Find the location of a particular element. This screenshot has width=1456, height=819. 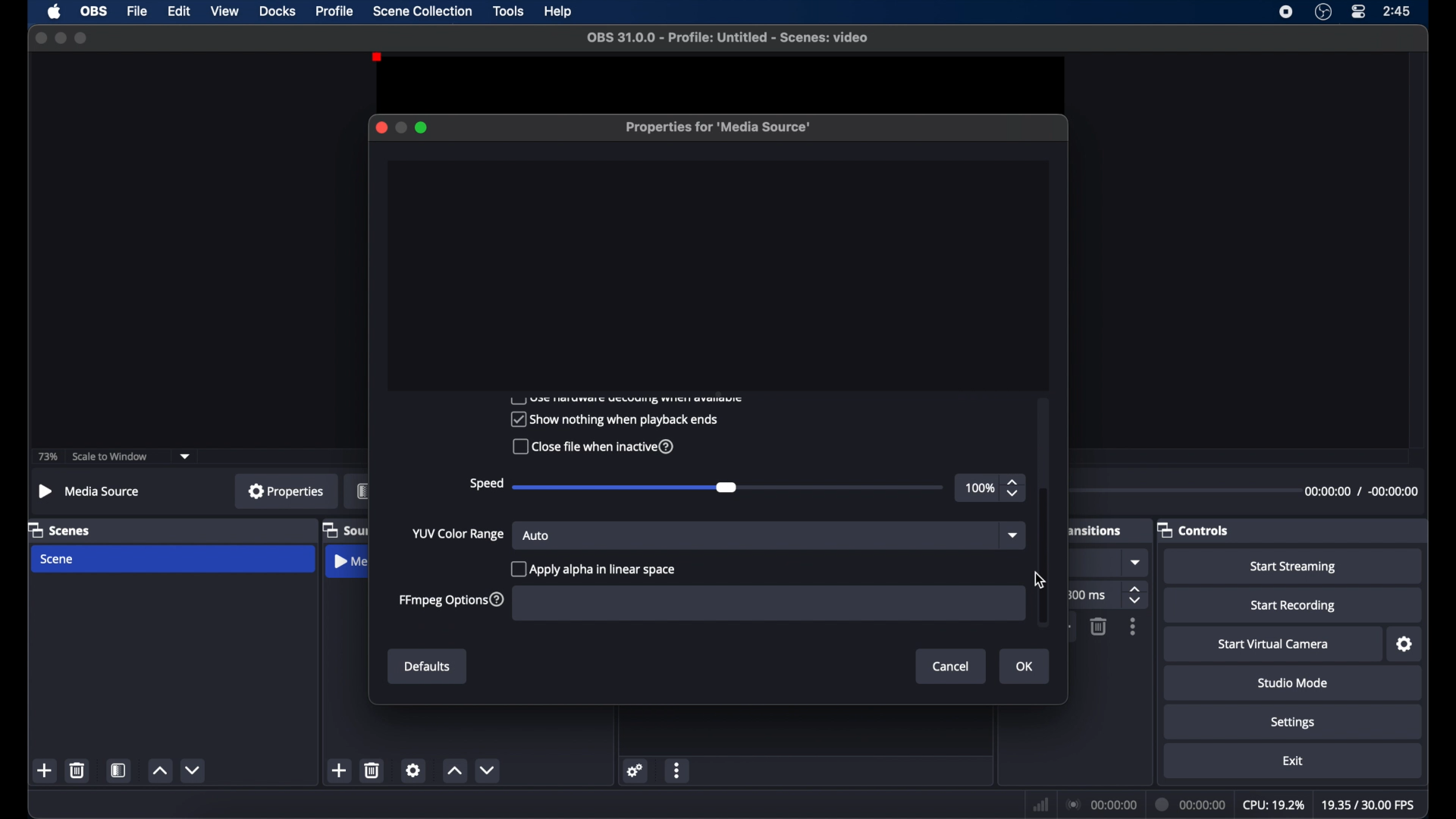

media source is located at coordinates (88, 491).